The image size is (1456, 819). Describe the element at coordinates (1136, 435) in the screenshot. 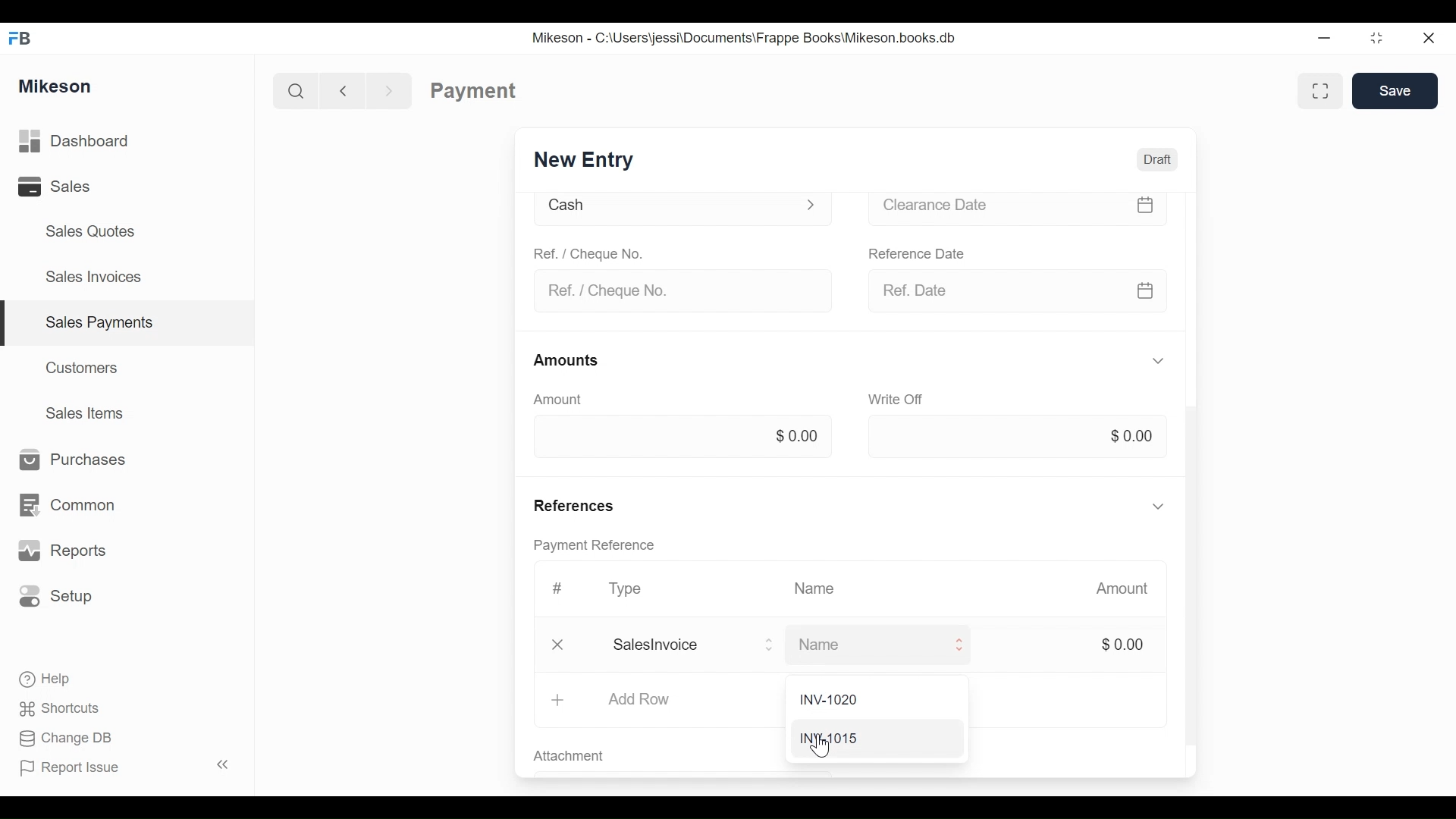

I see `$0.00` at that location.